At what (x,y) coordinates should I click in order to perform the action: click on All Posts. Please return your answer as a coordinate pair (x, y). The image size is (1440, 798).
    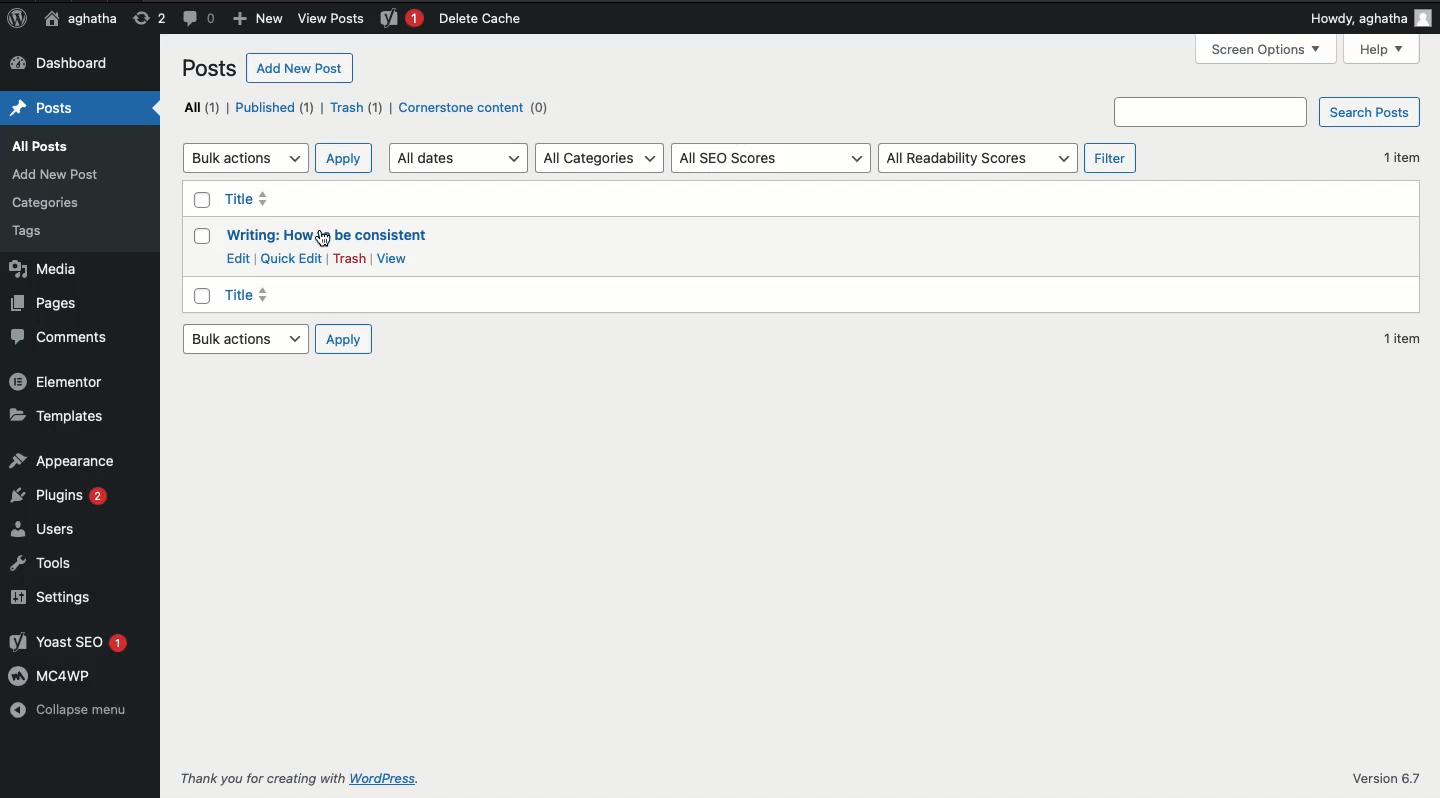
    Looking at the image, I should click on (38, 144).